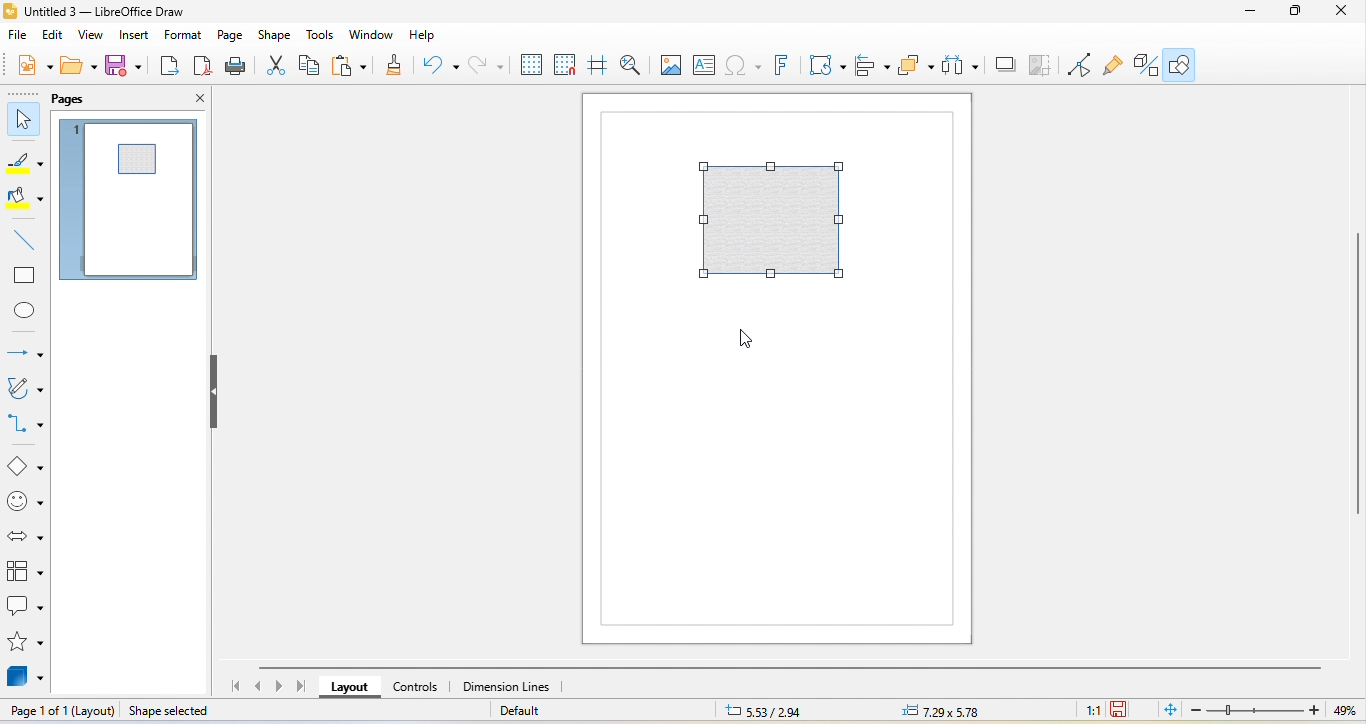  What do you see at coordinates (15, 36) in the screenshot?
I see `file` at bounding box center [15, 36].